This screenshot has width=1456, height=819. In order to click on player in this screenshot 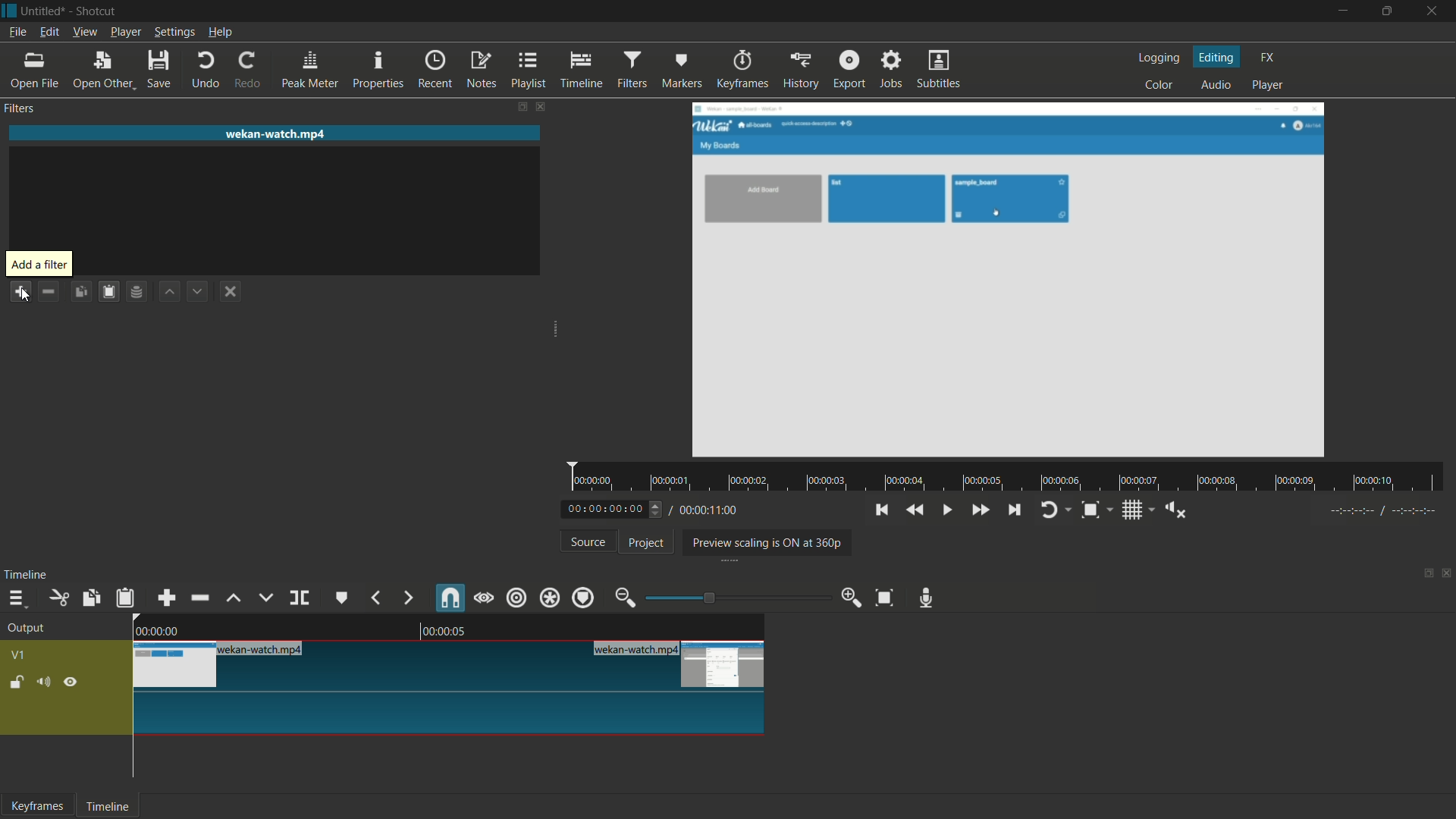, I will do `click(1270, 85)`.